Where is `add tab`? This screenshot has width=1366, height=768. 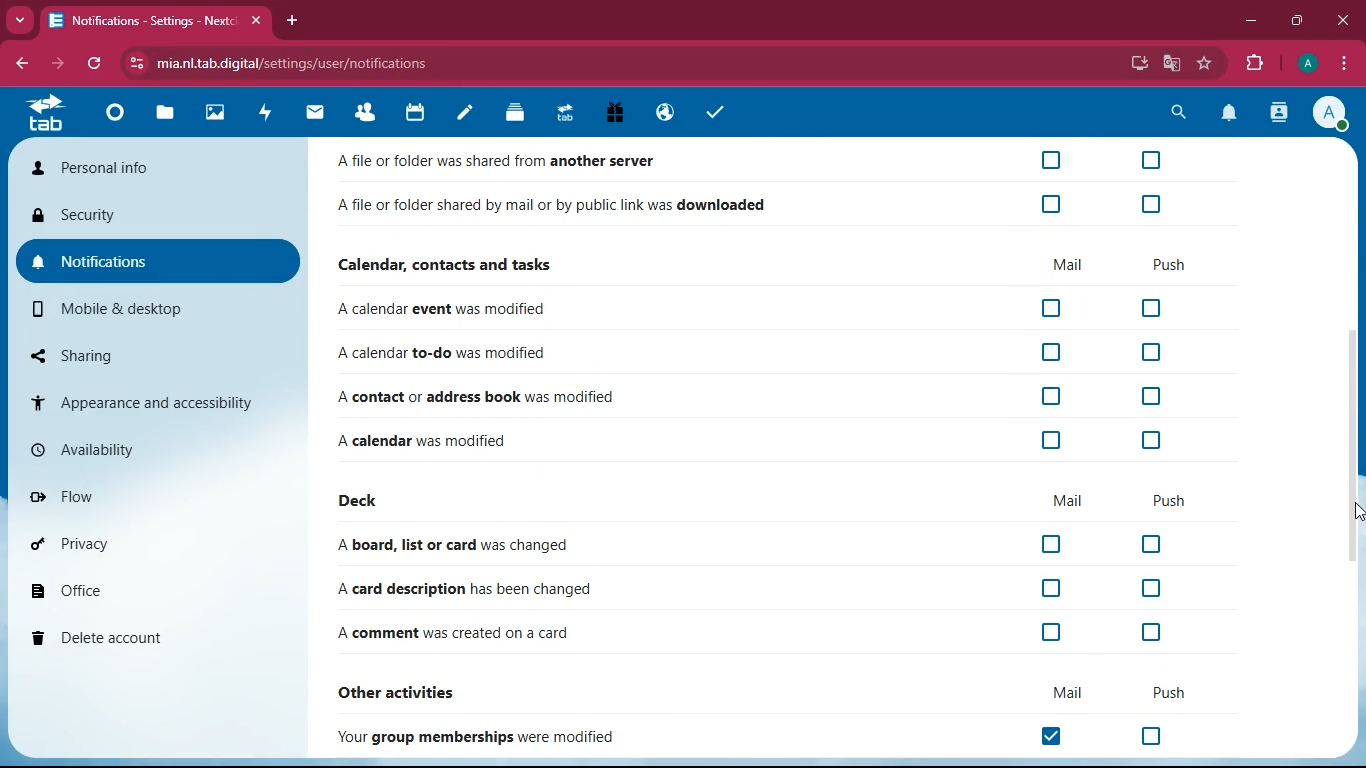
add tab is located at coordinates (291, 20).